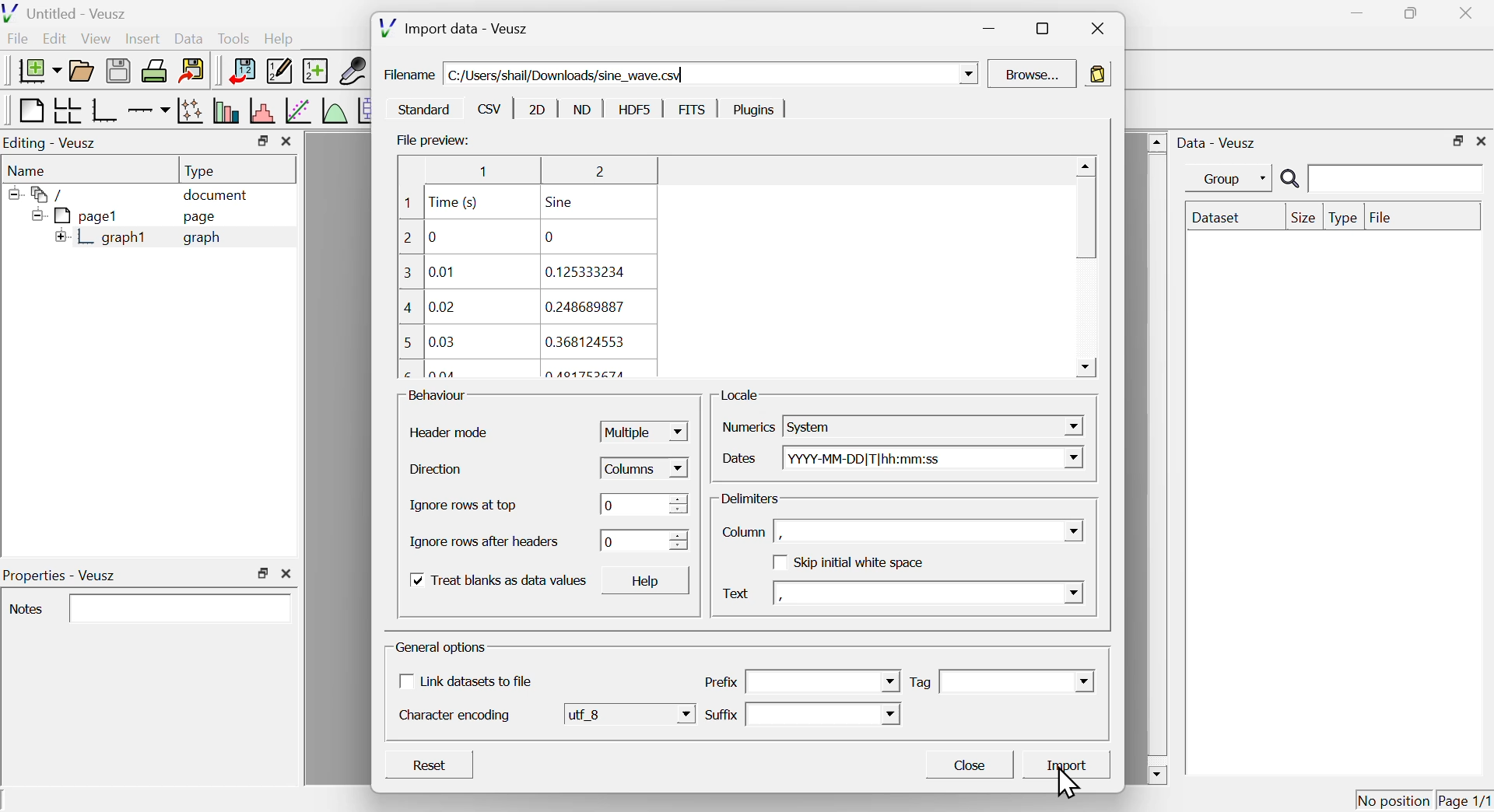 This screenshot has width=1494, height=812. I want to click on dataset, so click(1220, 217).